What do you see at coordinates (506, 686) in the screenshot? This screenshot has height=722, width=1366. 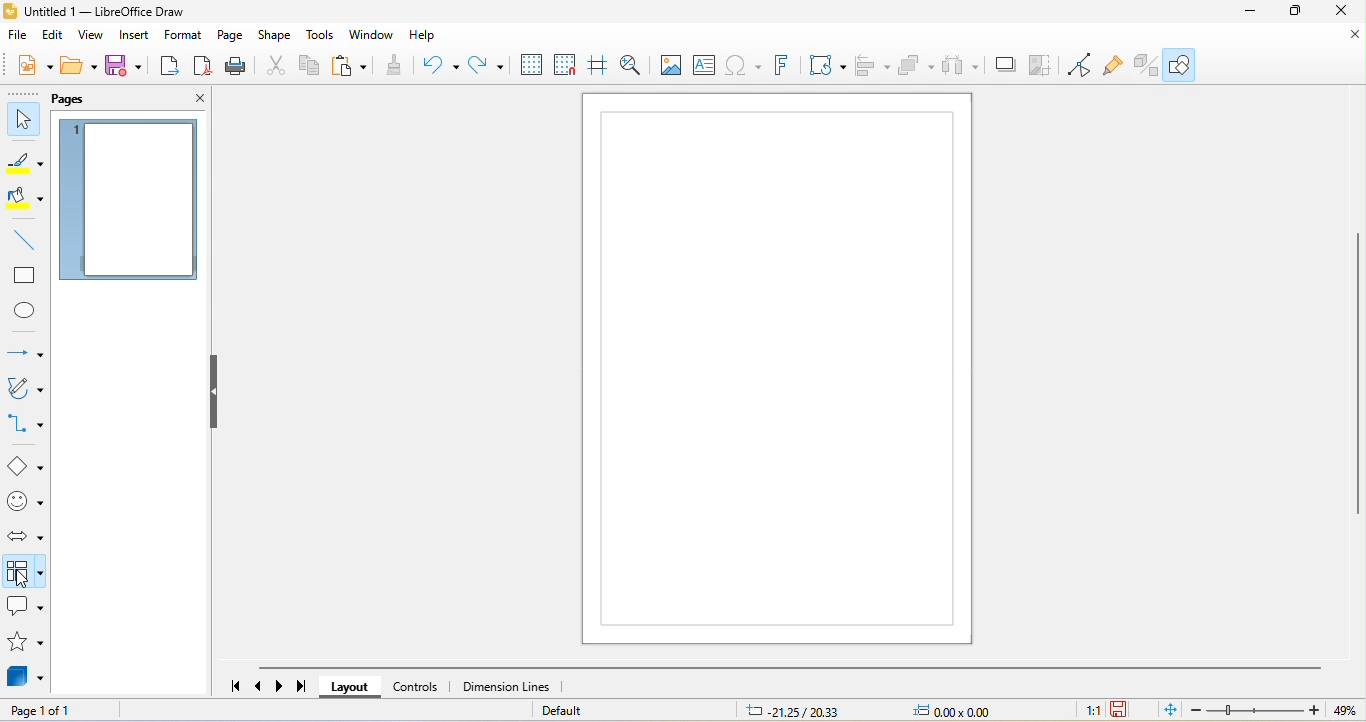 I see `dimension lines` at bounding box center [506, 686].